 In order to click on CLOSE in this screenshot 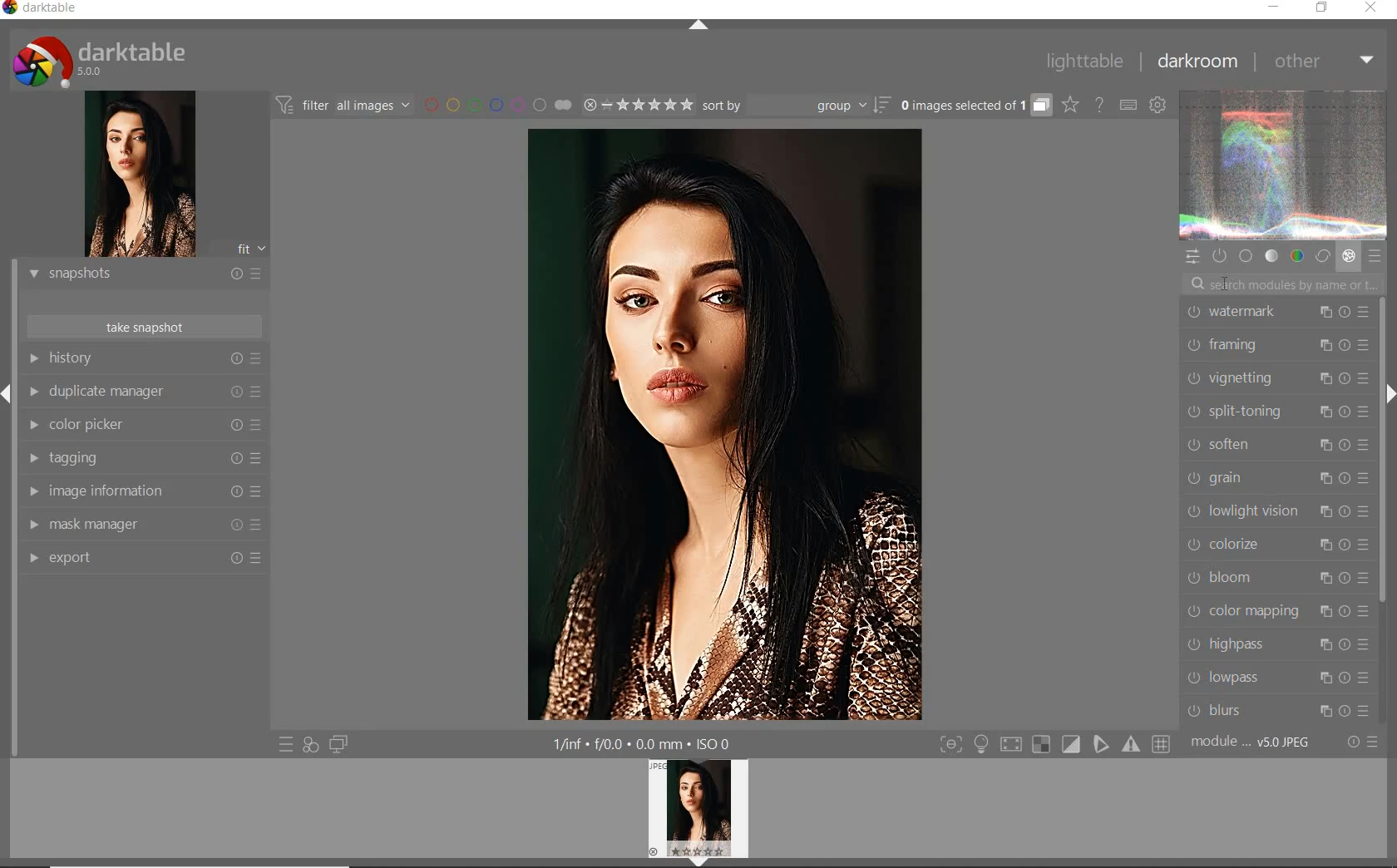, I will do `click(1373, 8)`.